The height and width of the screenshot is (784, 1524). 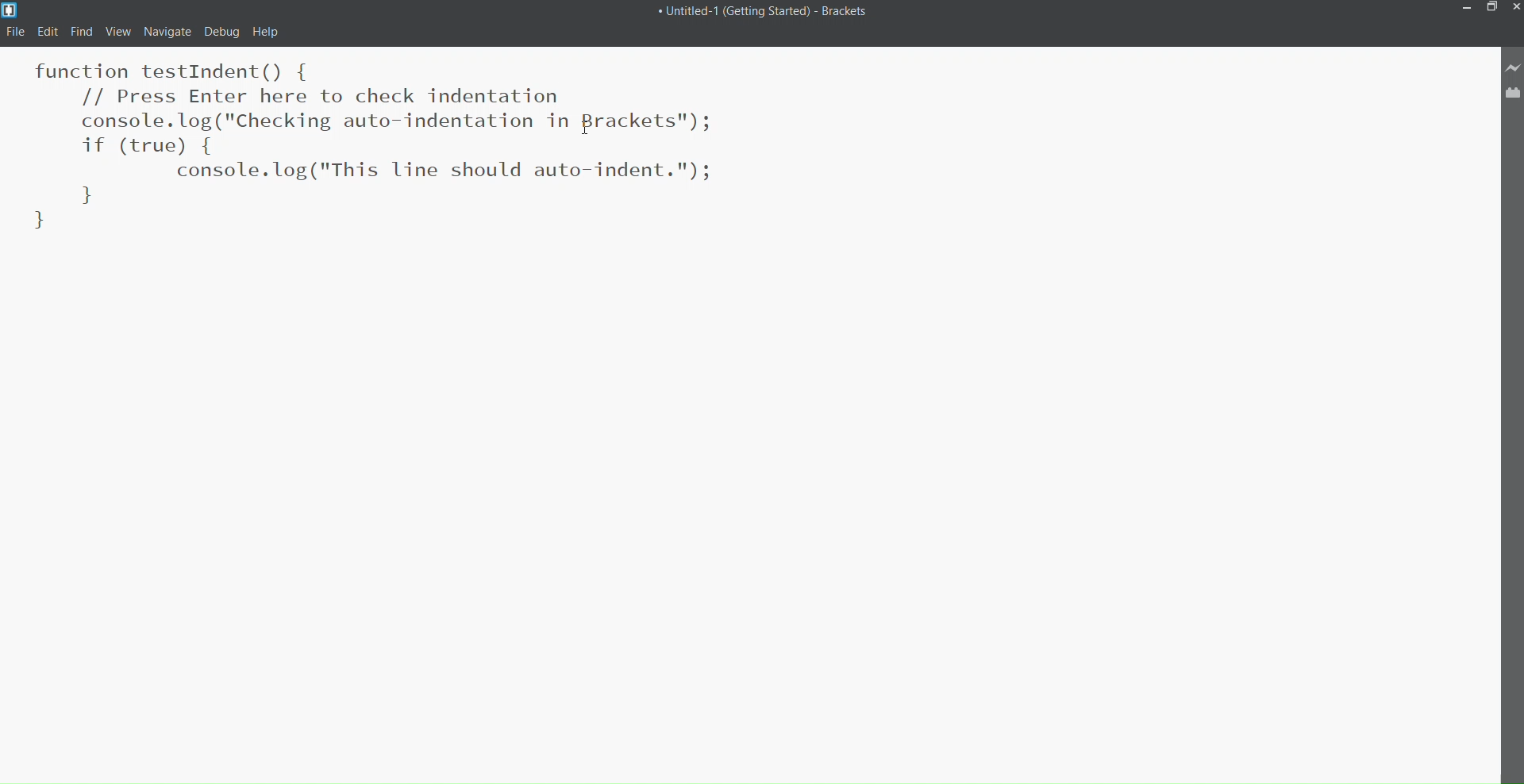 I want to click on File, so click(x=17, y=33).